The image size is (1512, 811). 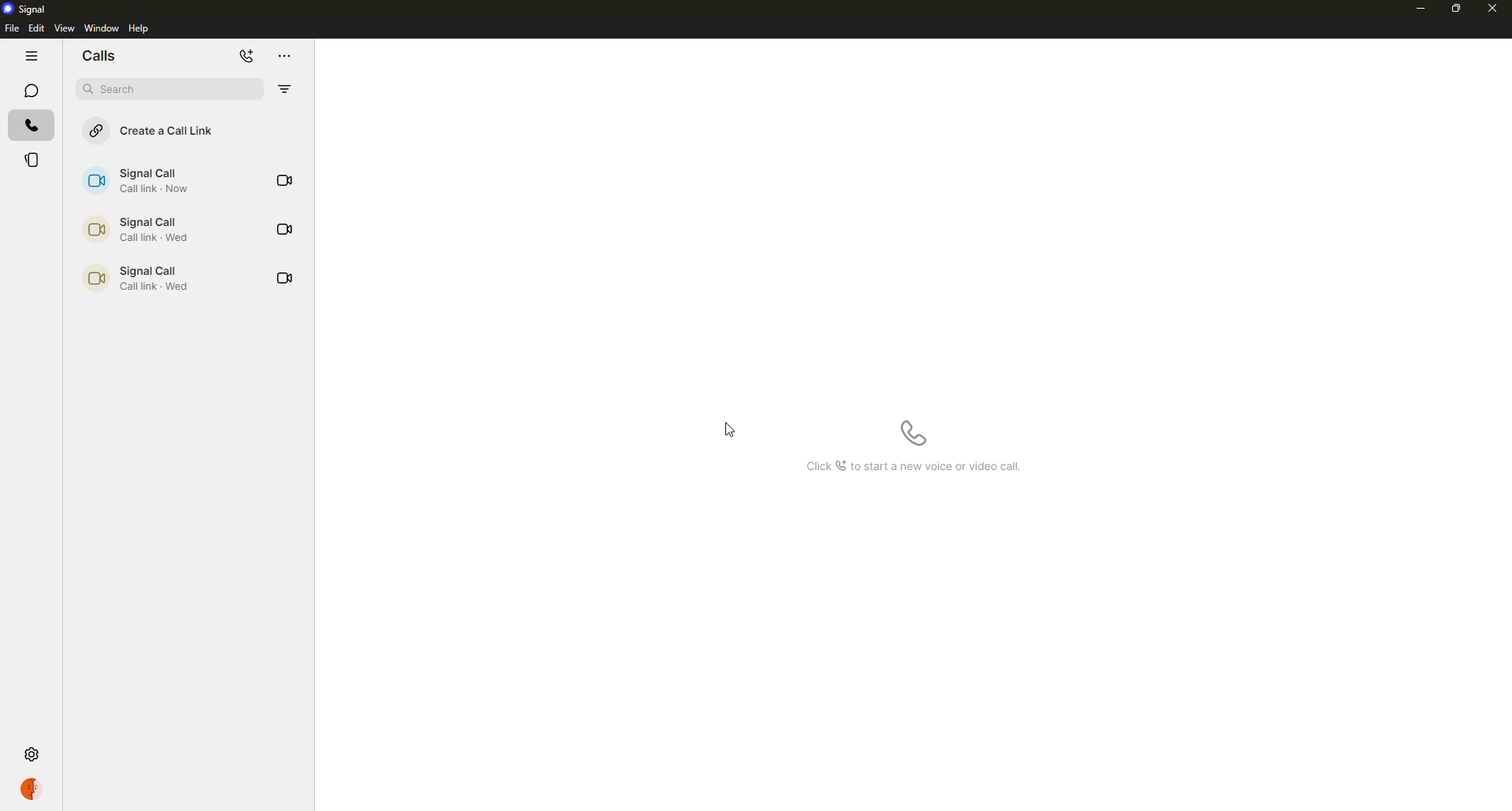 I want to click on settings, so click(x=31, y=754).